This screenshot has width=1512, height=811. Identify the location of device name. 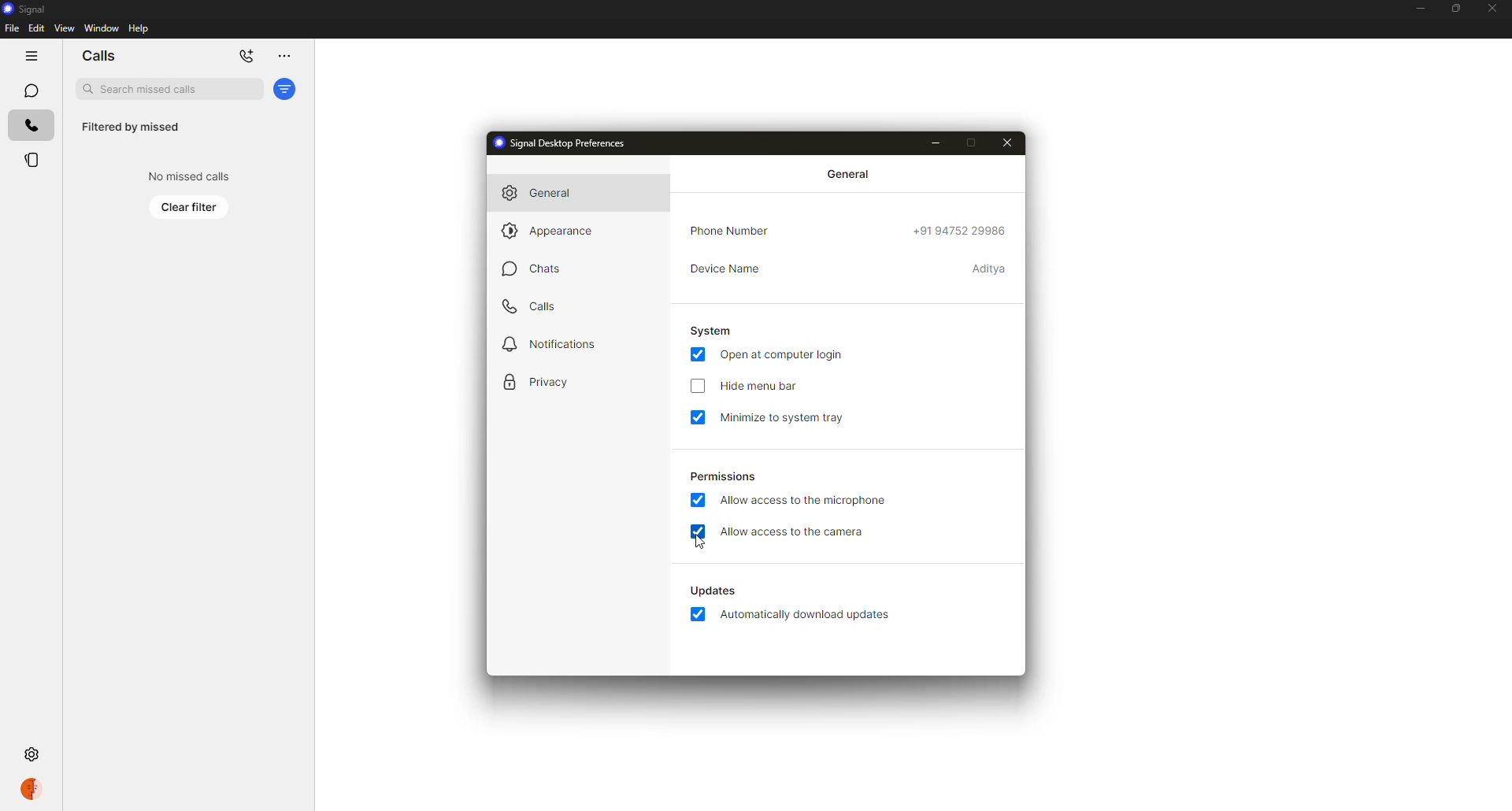
(991, 268).